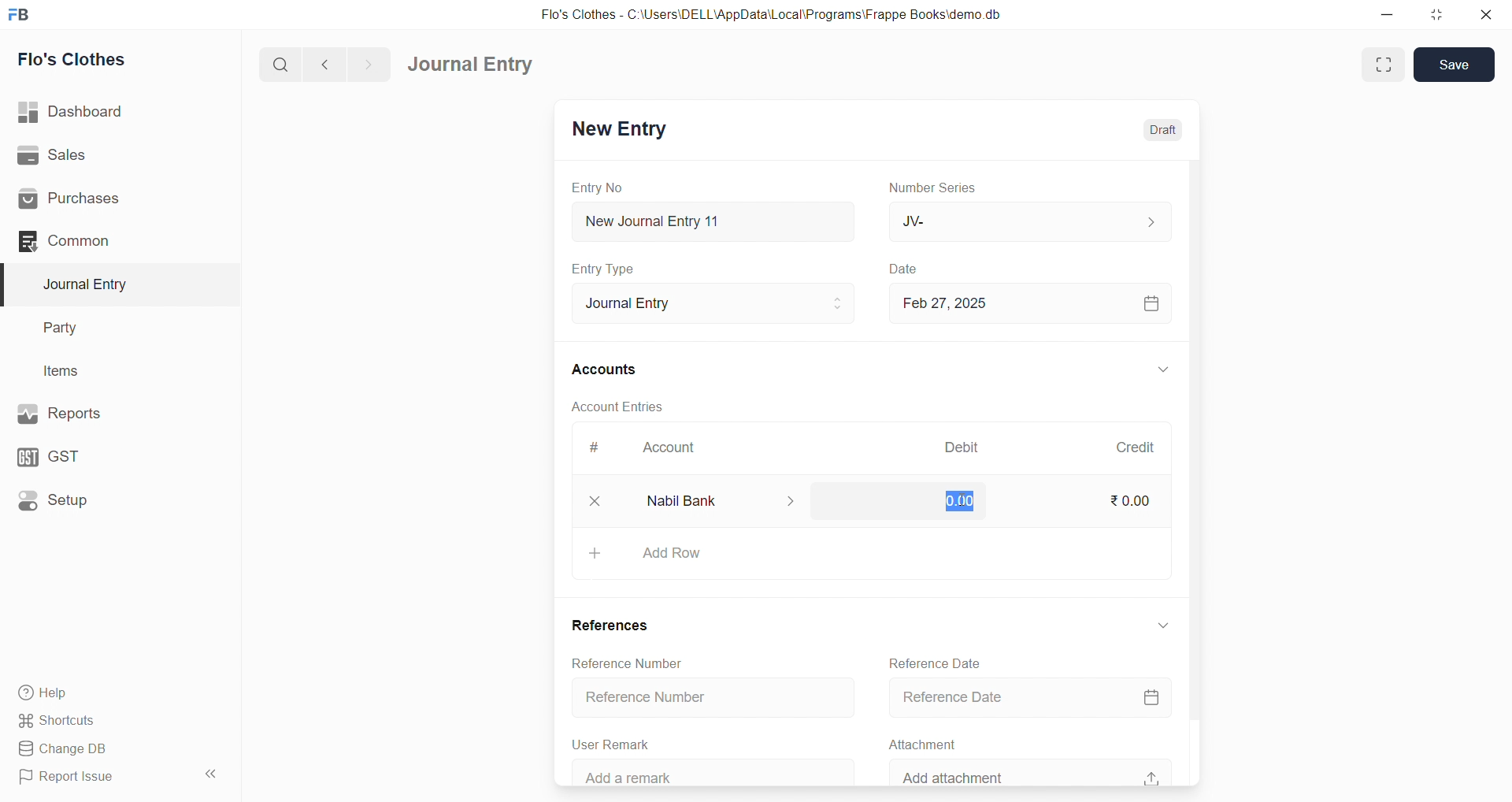 Image resolution: width=1512 pixels, height=802 pixels. Describe the element at coordinates (1034, 771) in the screenshot. I see `Add attachment` at that location.